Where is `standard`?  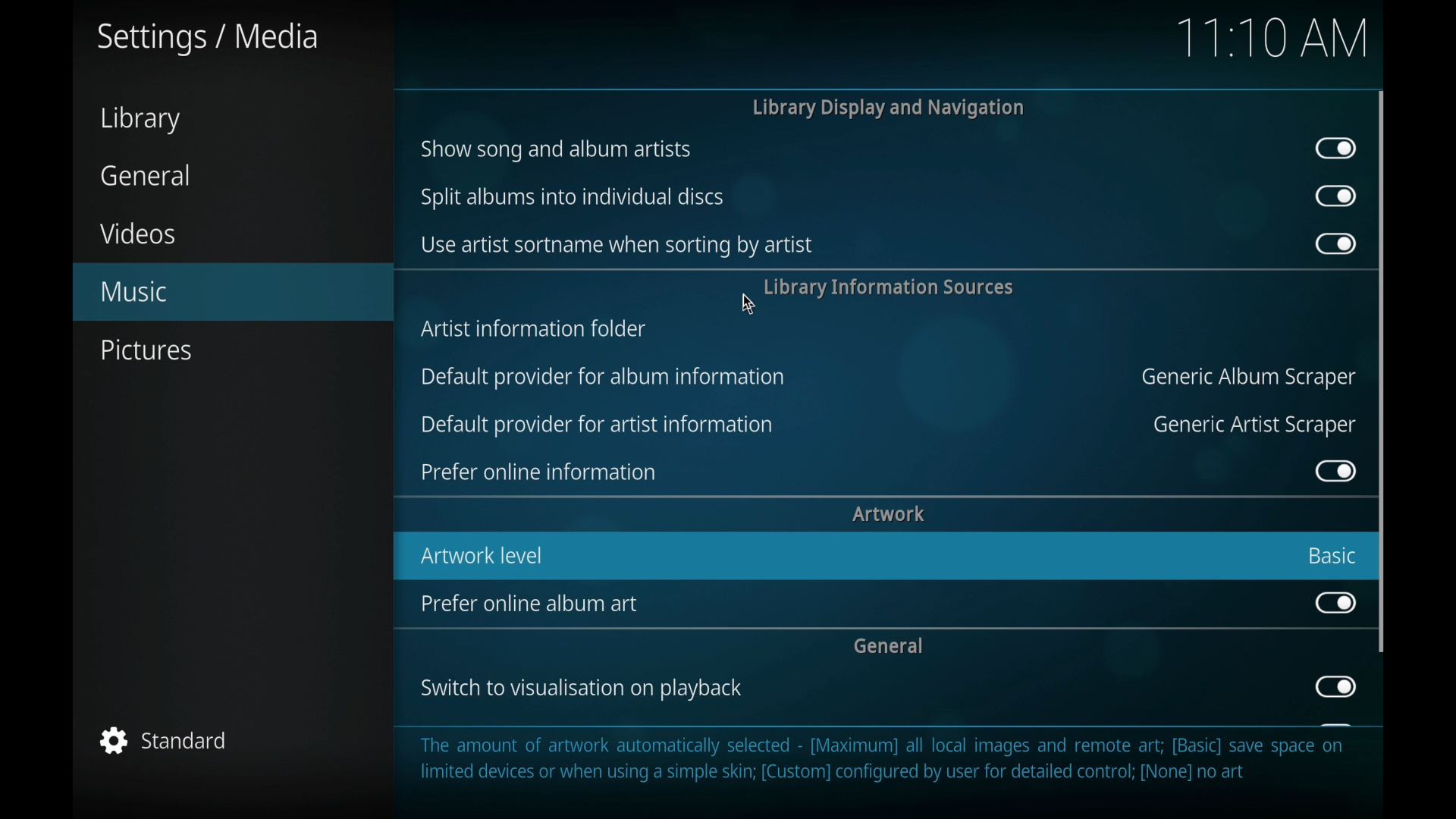 standard is located at coordinates (163, 742).